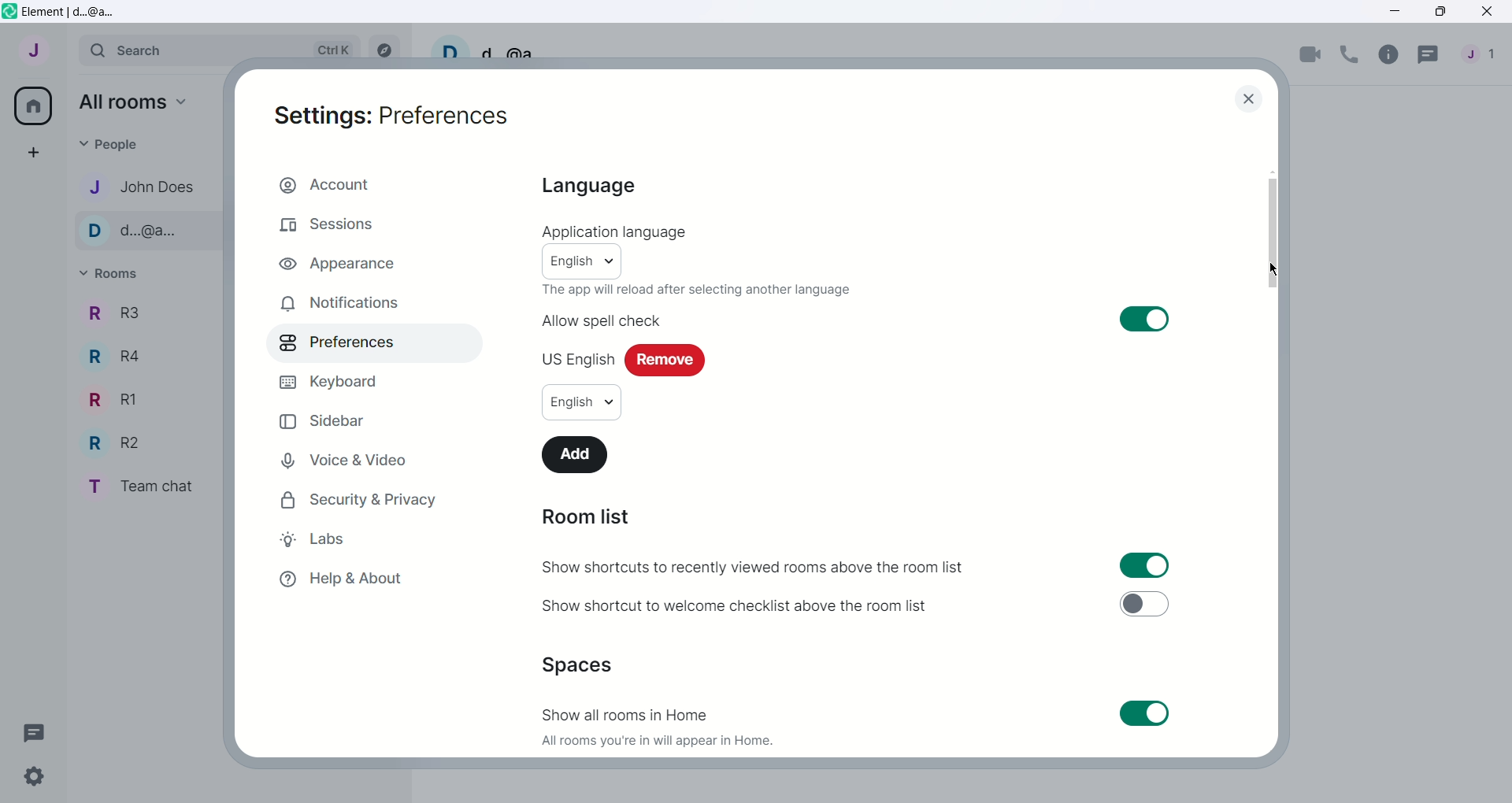  Describe the element at coordinates (754, 568) in the screenshot. I see `Show shortcuts to recently viewed rooms above the room list` at that location.